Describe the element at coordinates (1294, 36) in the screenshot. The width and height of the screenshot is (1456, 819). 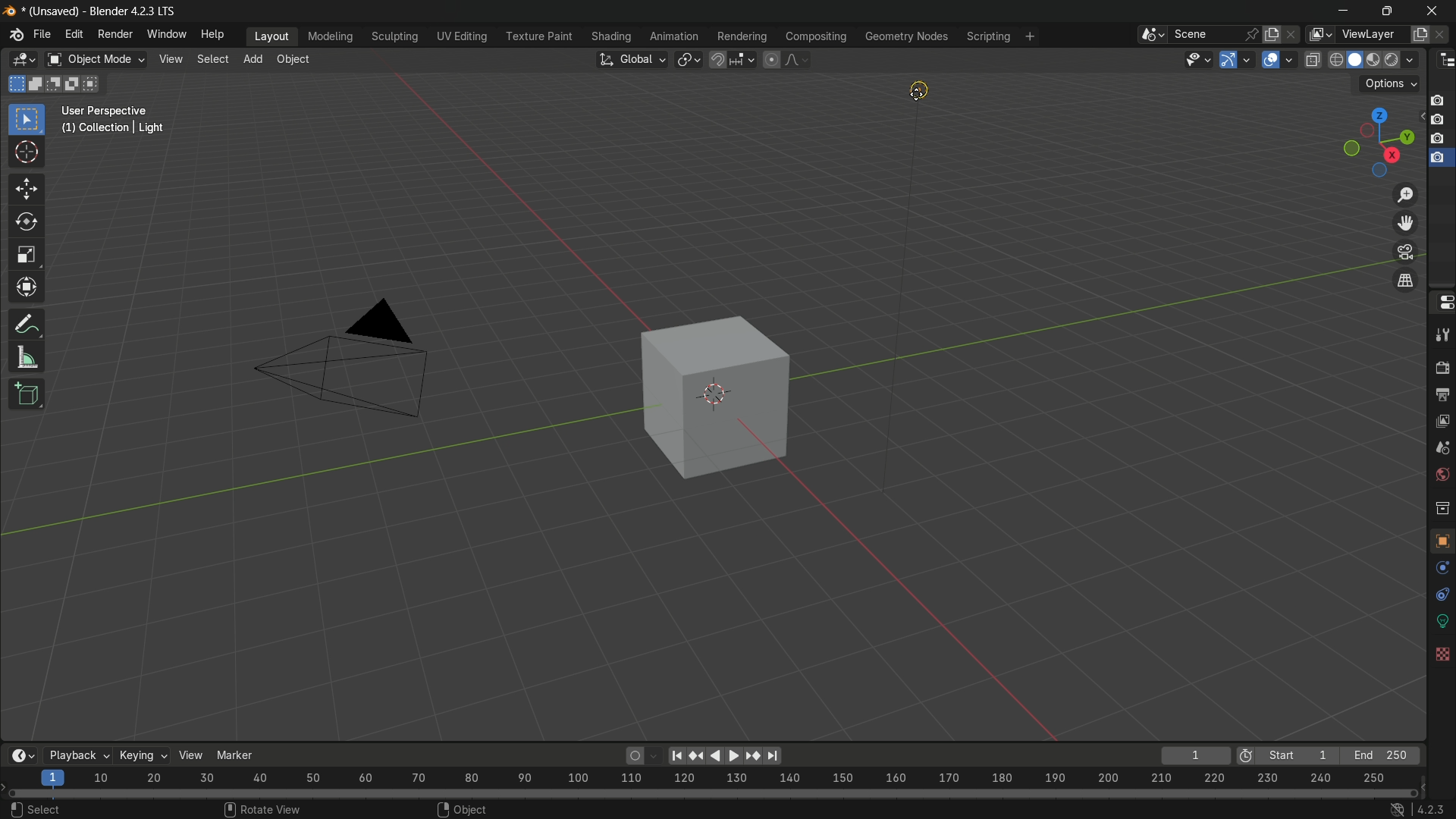
I see `delete scene` at that location.